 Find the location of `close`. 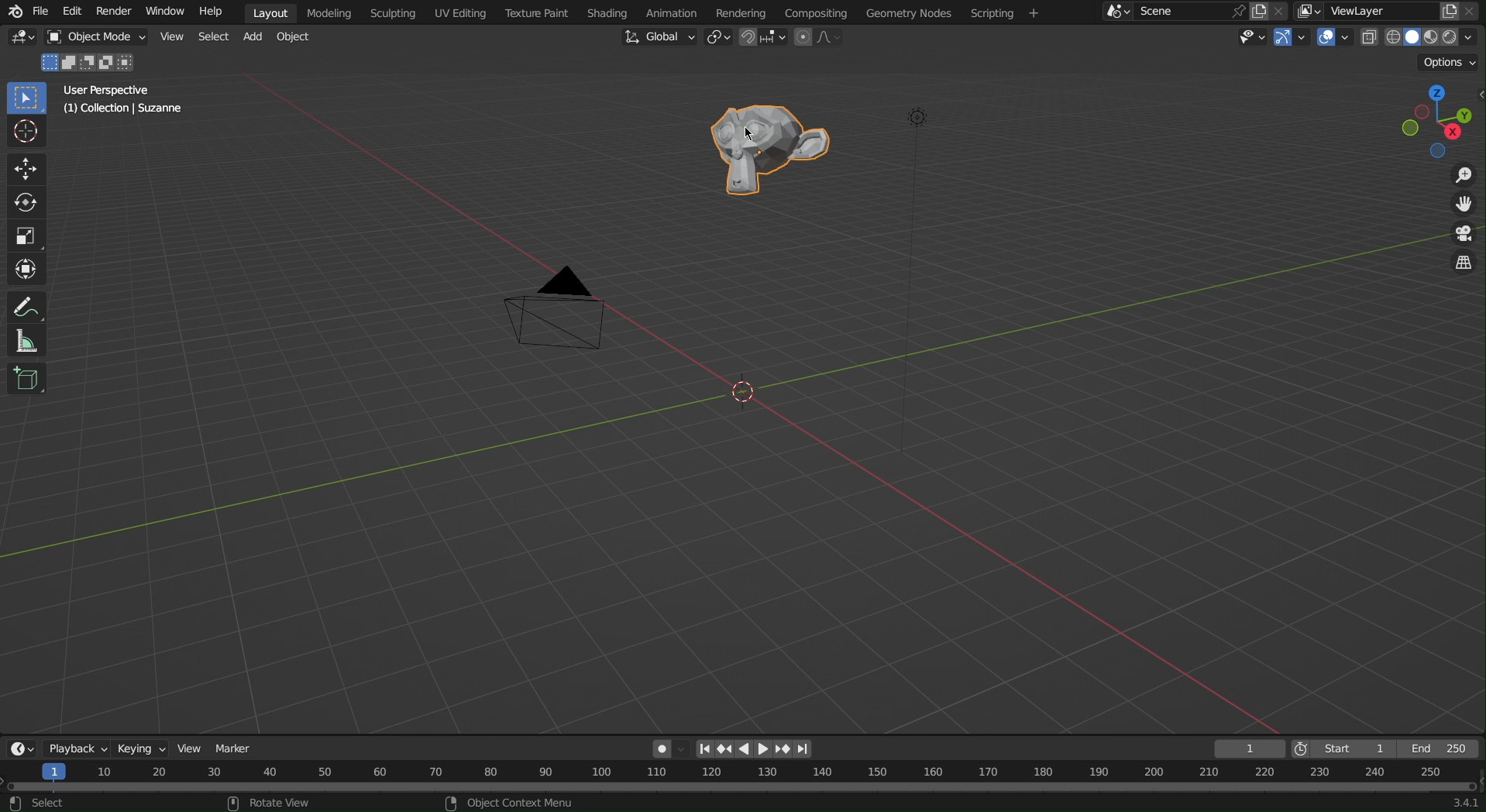

close is located at coordinates (1471, 11).